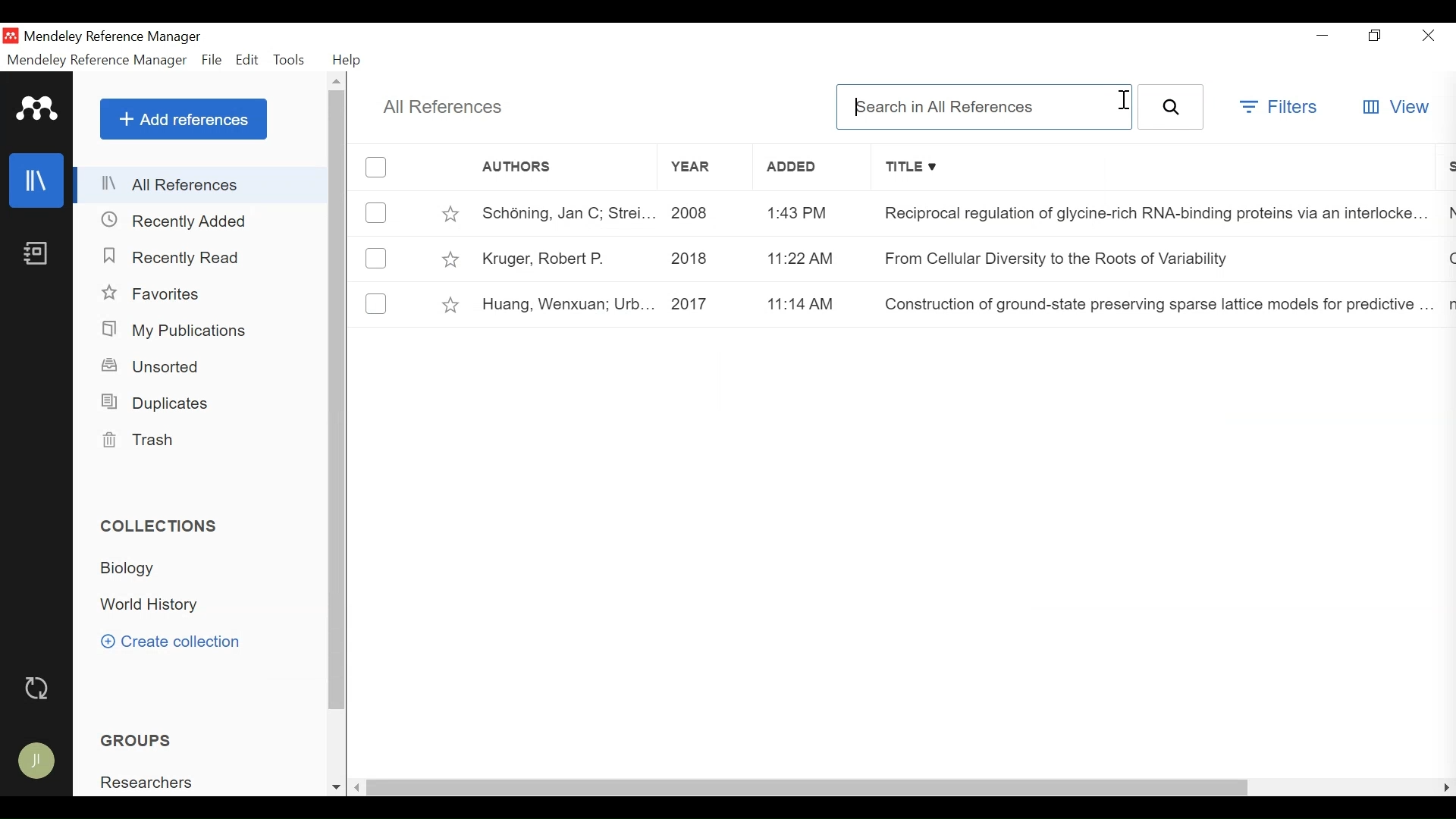 The width and height of the screenshot is (1456, 819). I want to click on From Cellular Diversity to the Roots of Variability, so click(1060, 257).